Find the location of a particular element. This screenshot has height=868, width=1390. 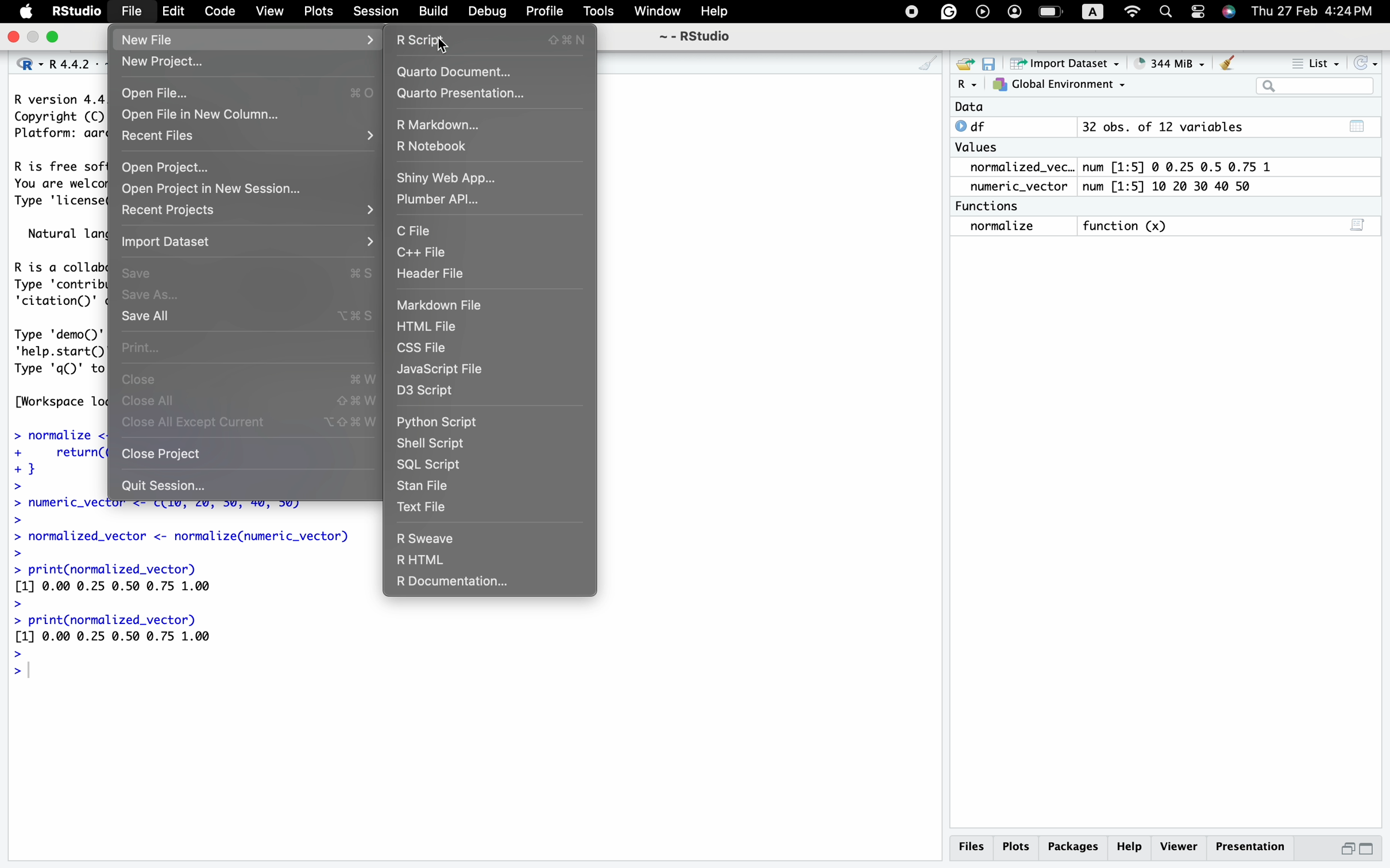

minimize is located at coordinates (53, 37).